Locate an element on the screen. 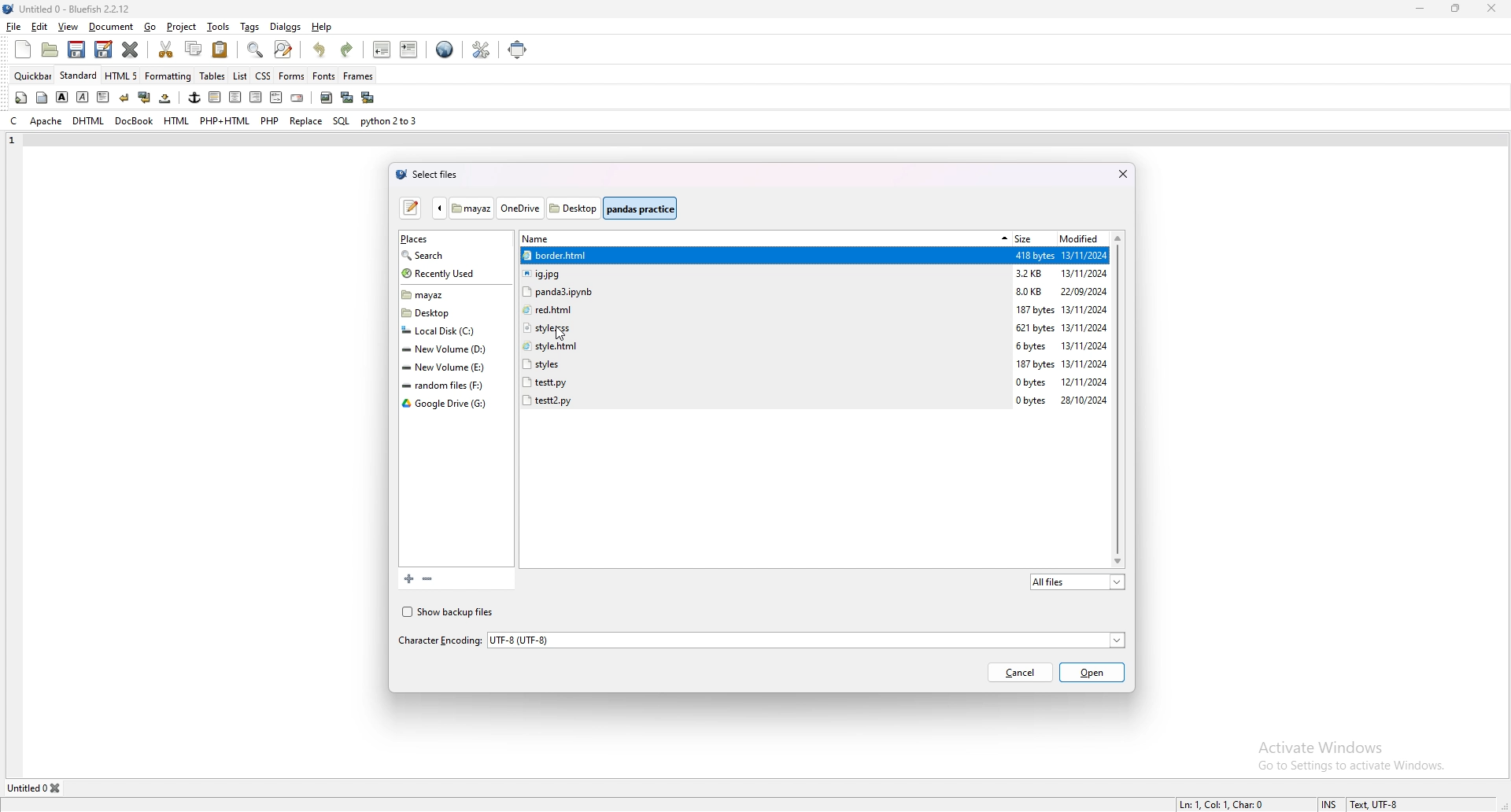  folder is located at coordinates (449, 349).